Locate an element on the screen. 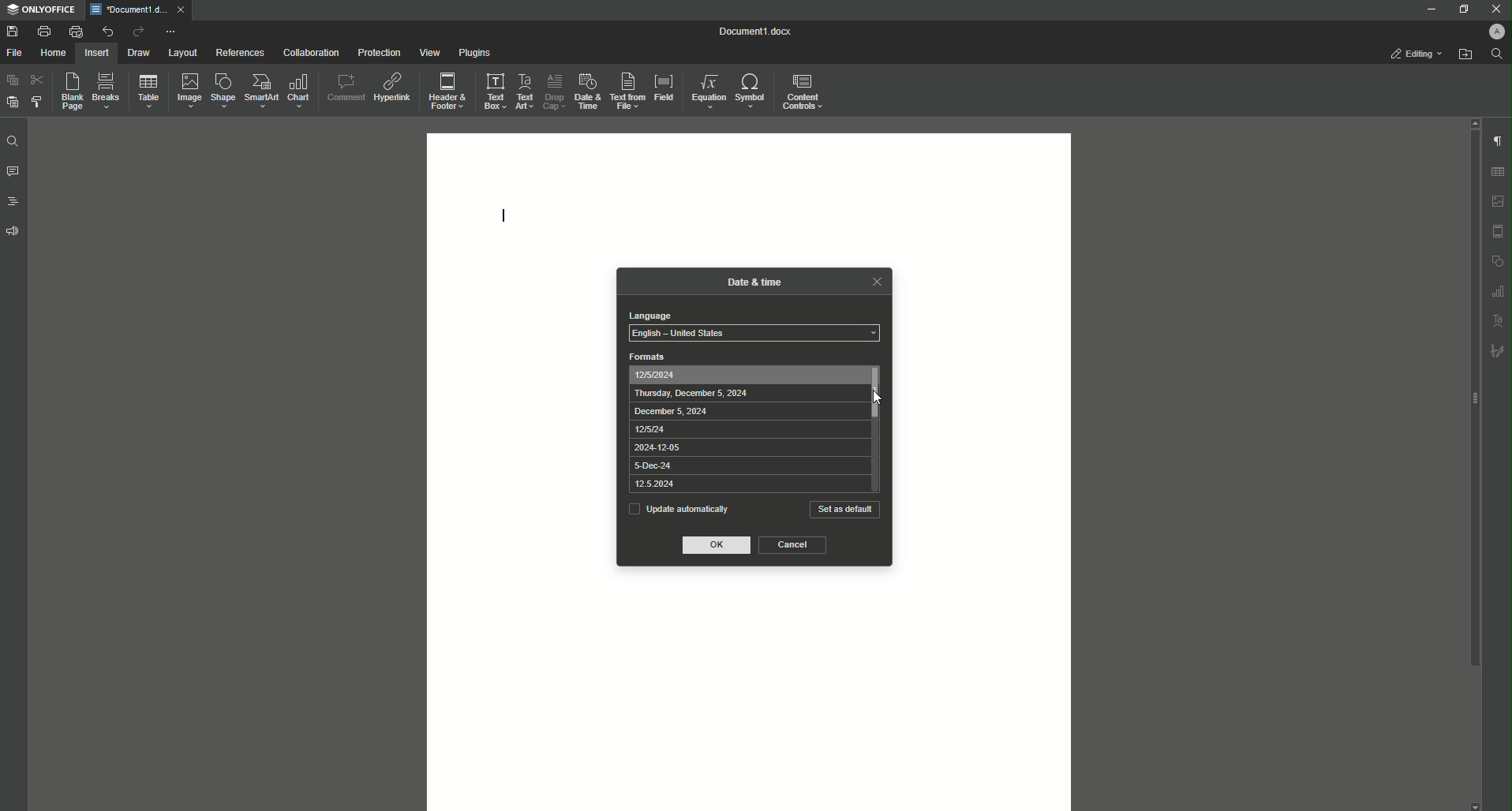  Symbol is located at coordinates (752, 92).